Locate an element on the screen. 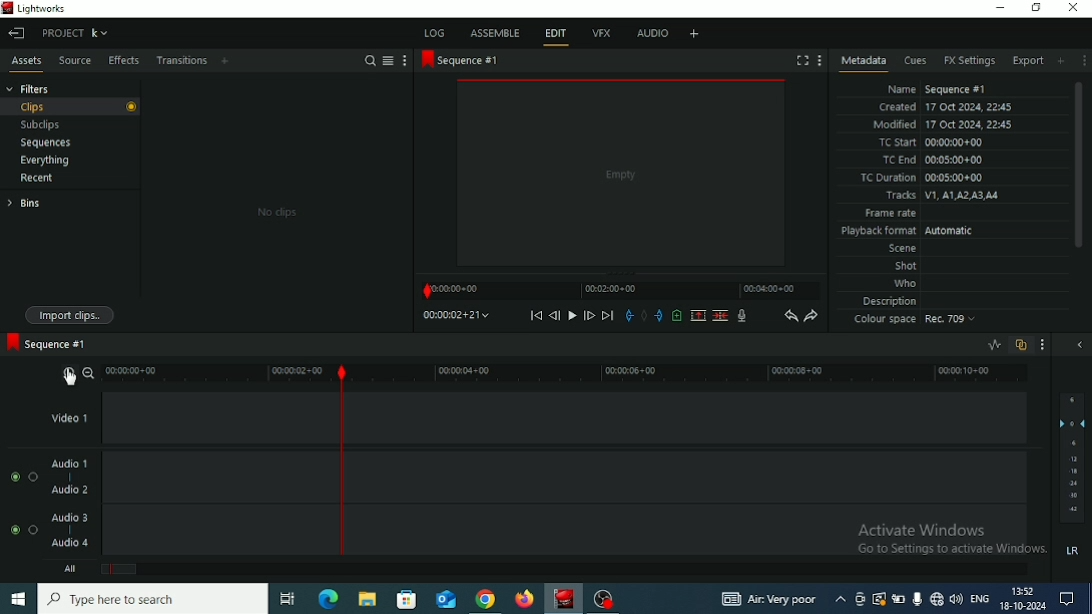  Shot is located at coordinates (906, 267).